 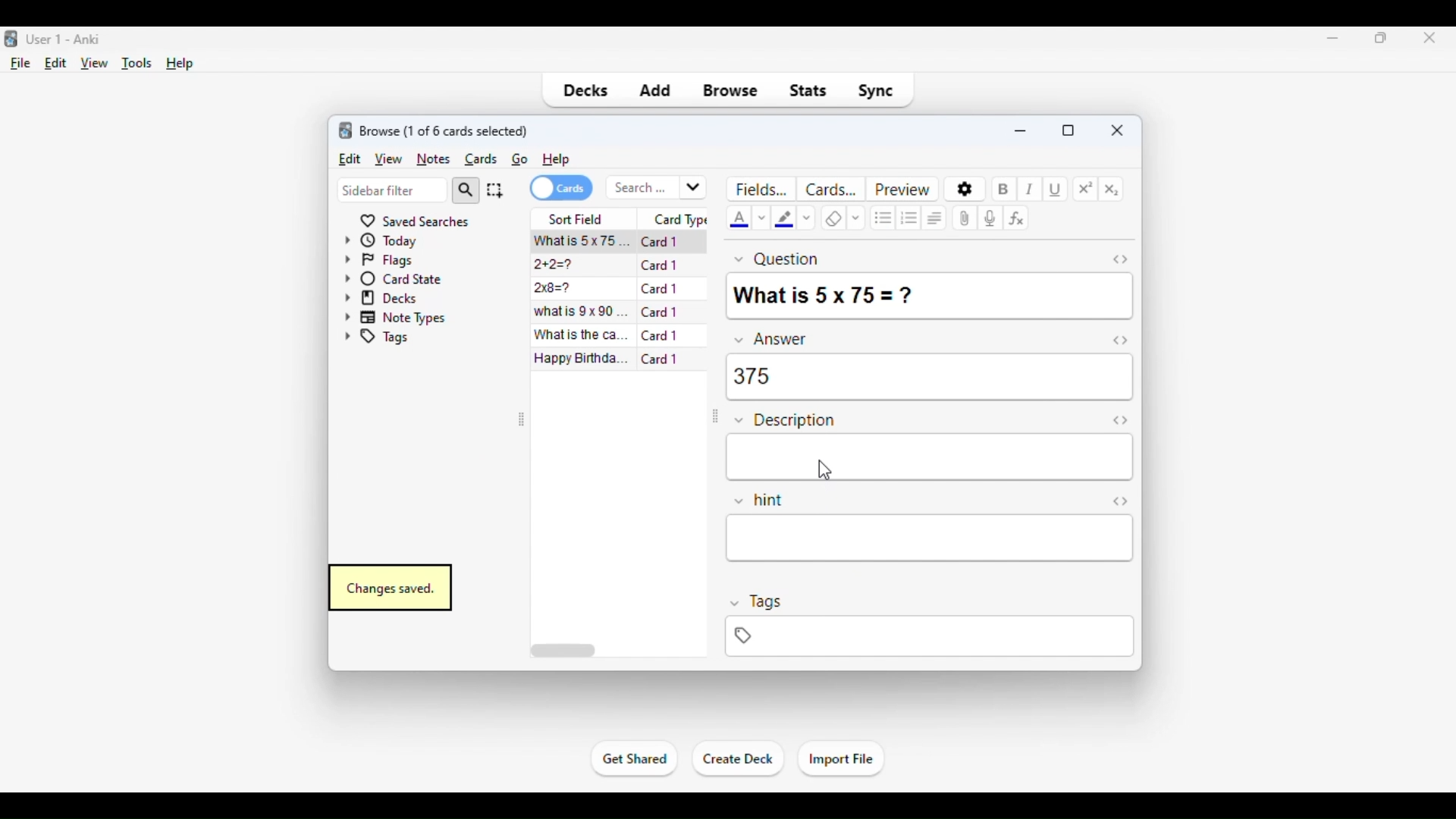 I want to click on change color, so click(x=763, y=218).